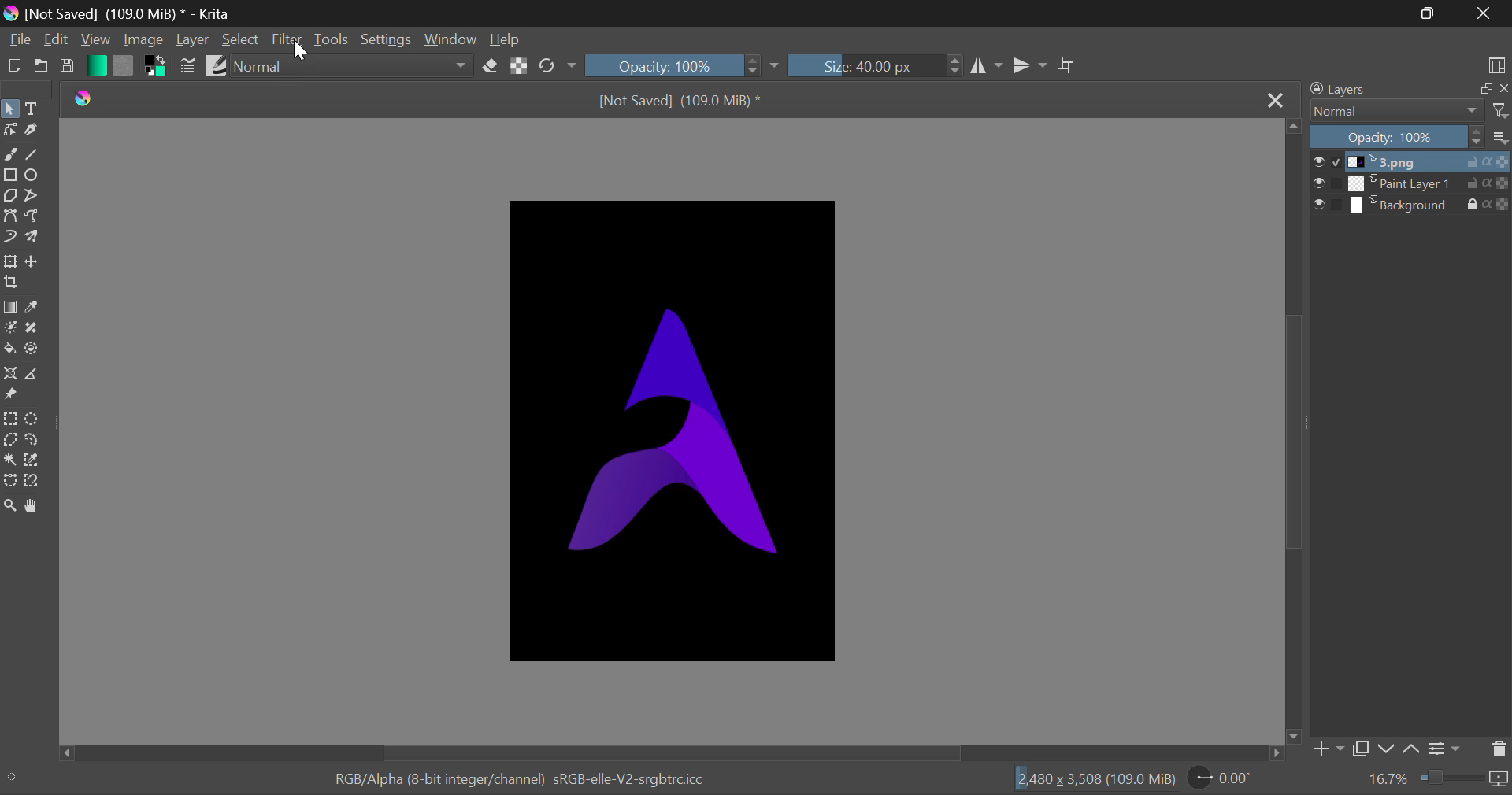 This screenshot has width=1512, height=795. Describe the element at coordinates (558, 65) in the screenshot. I see `Rotate` at that location.